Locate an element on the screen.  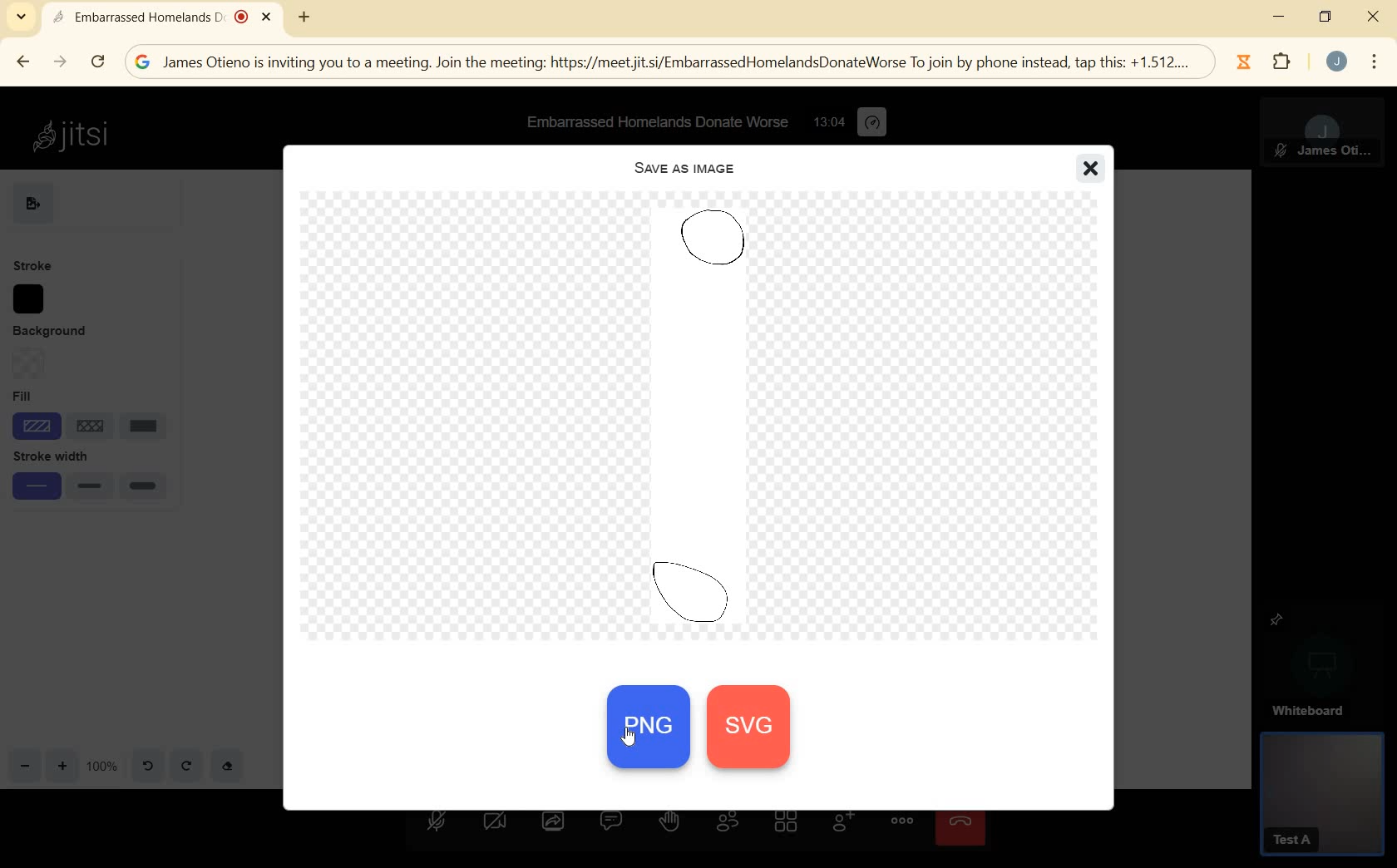
restore down is located at coordinates (1325, 19).